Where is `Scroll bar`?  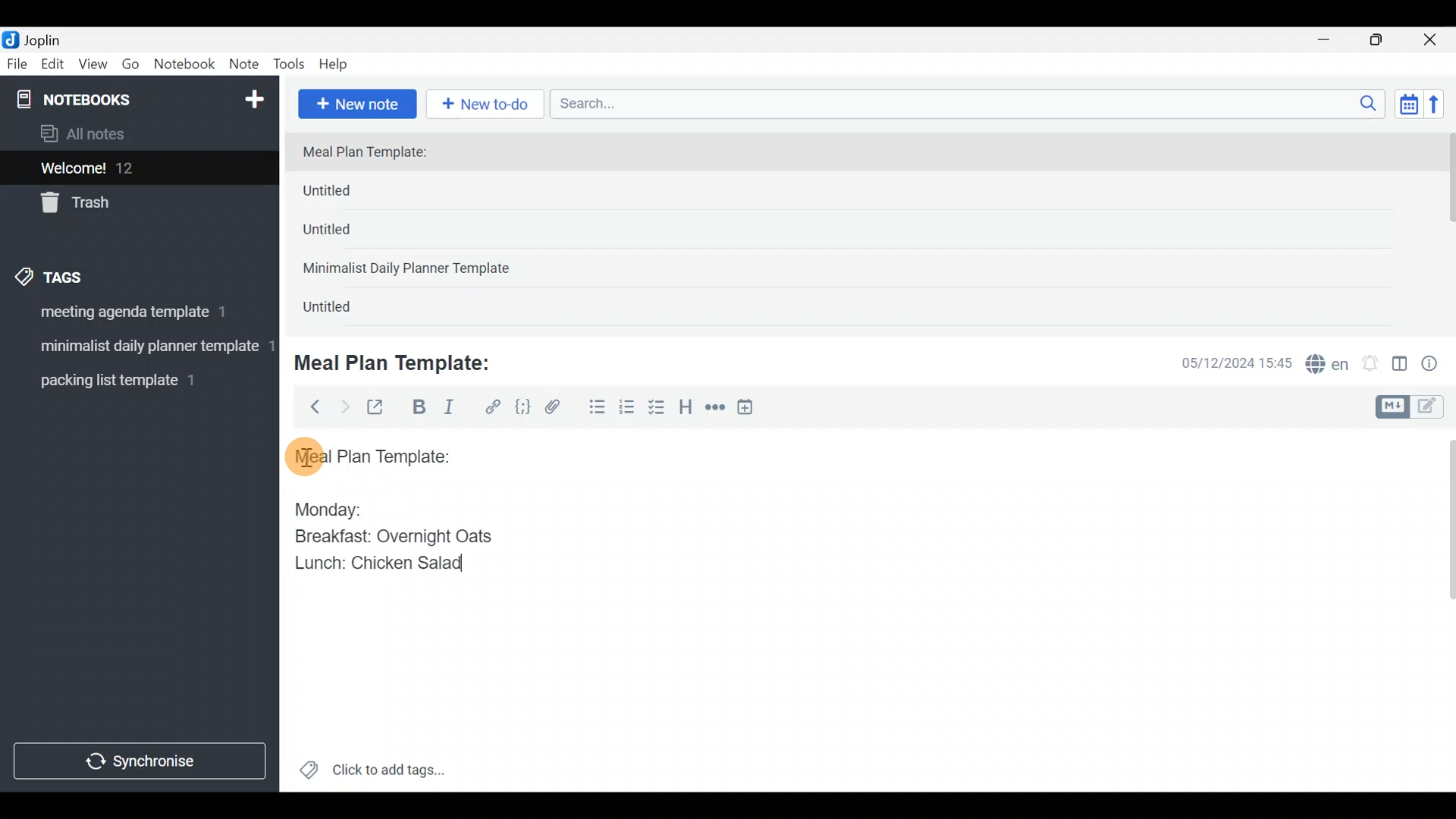
Scroll bar is located at coordinates (1440, 610).